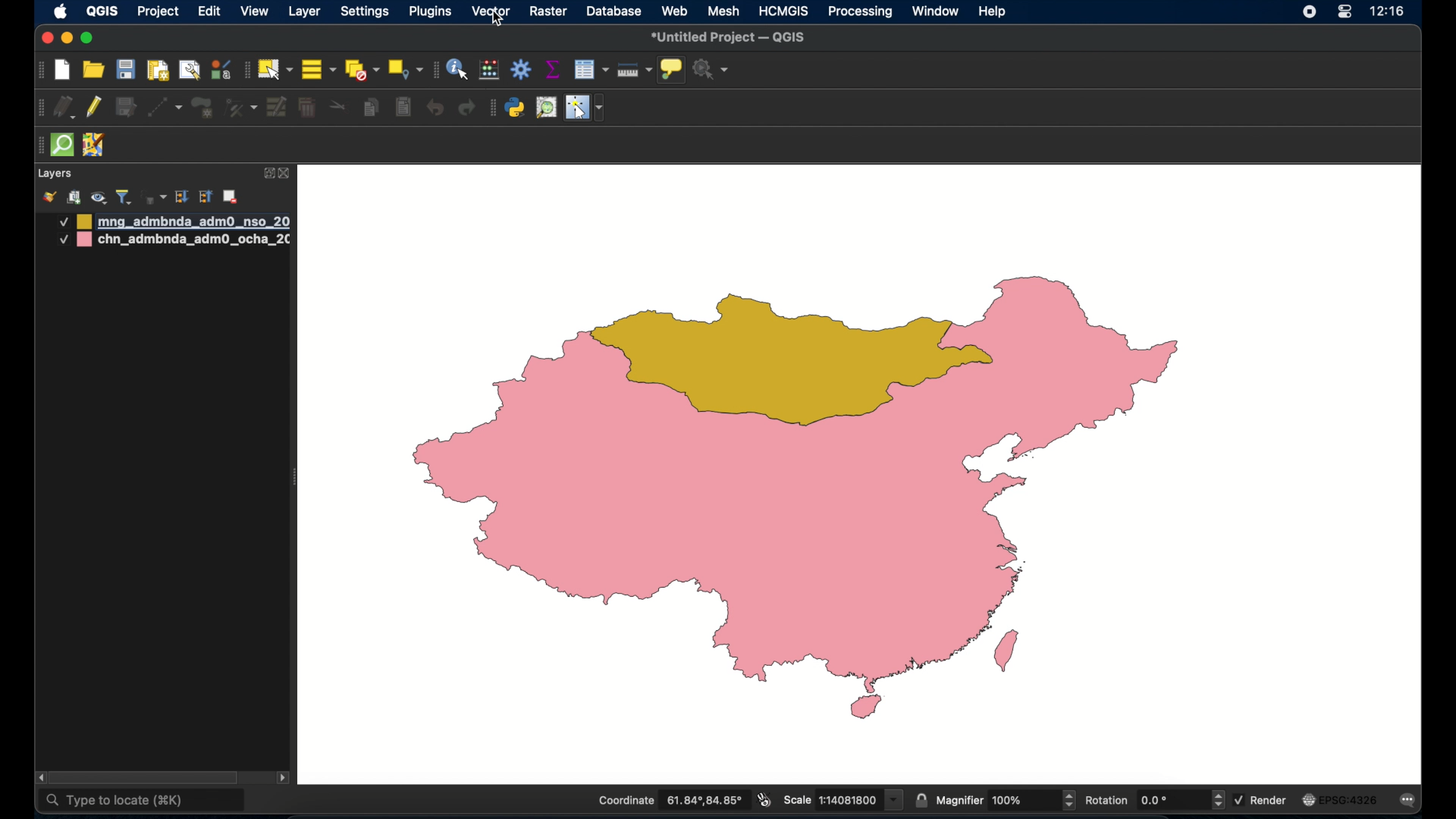 The width and height of the screenshot is (1456, 819). Describe the element at coordinates (935, 11) in the screenshot. I see `window` at that location.